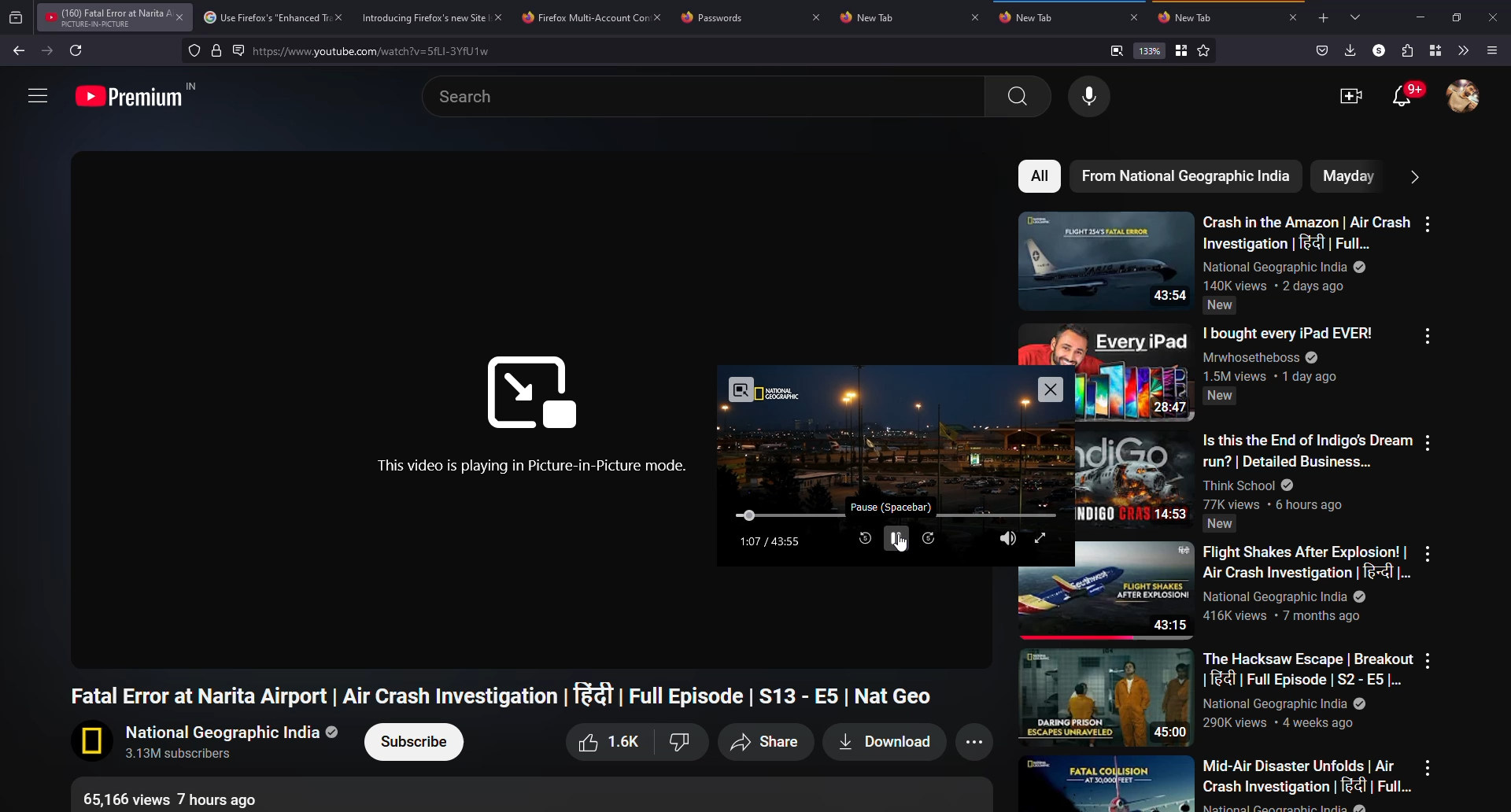 The height and width of the screenshot is (812, 1511). Describe the element at coordinates (606, 743) in the screenshot. I see `like` at that location.